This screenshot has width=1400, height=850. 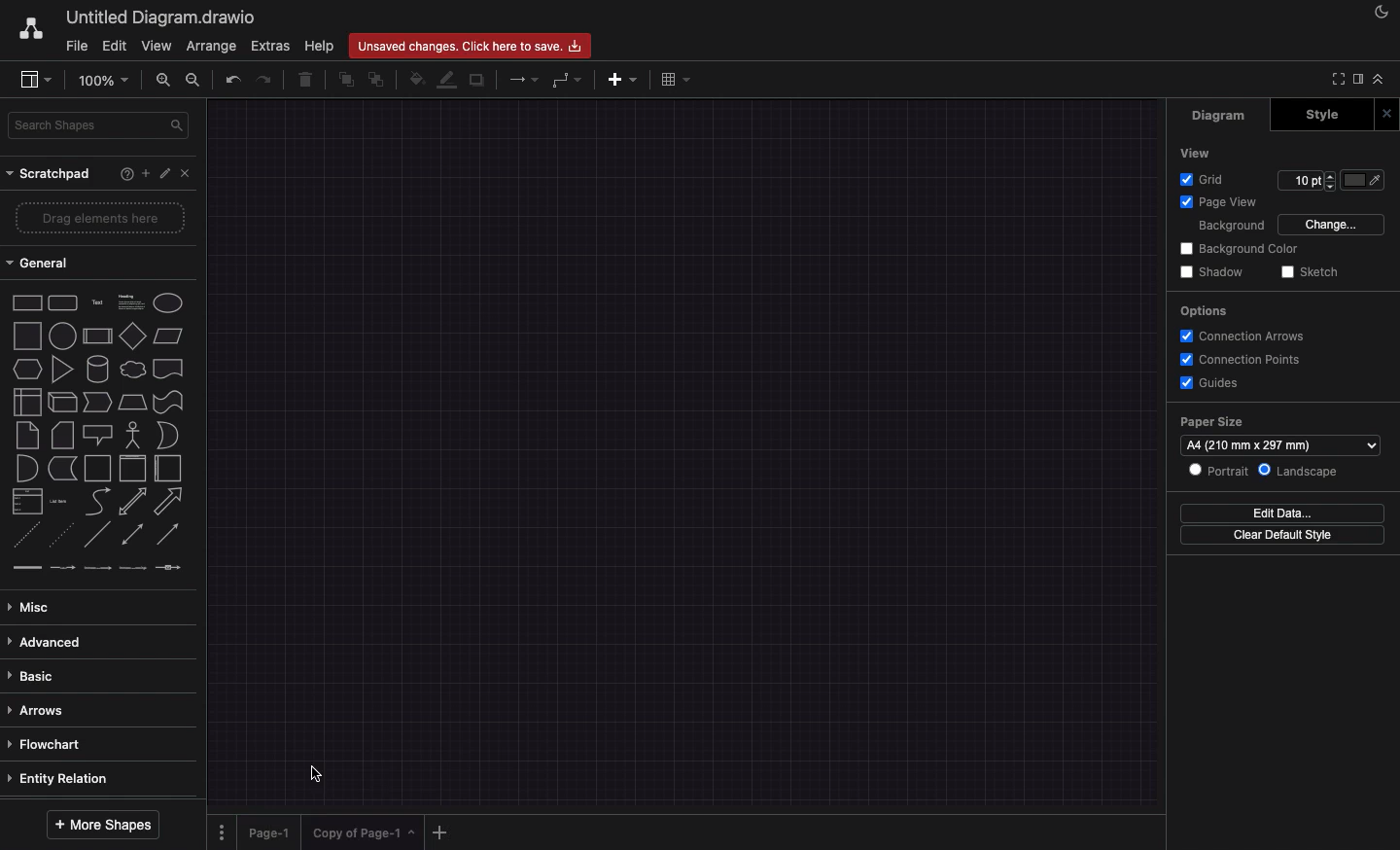 What do you see at coordinates (231, 79) in the screenshot?
I see `undo` at bounding box center [231, 79].